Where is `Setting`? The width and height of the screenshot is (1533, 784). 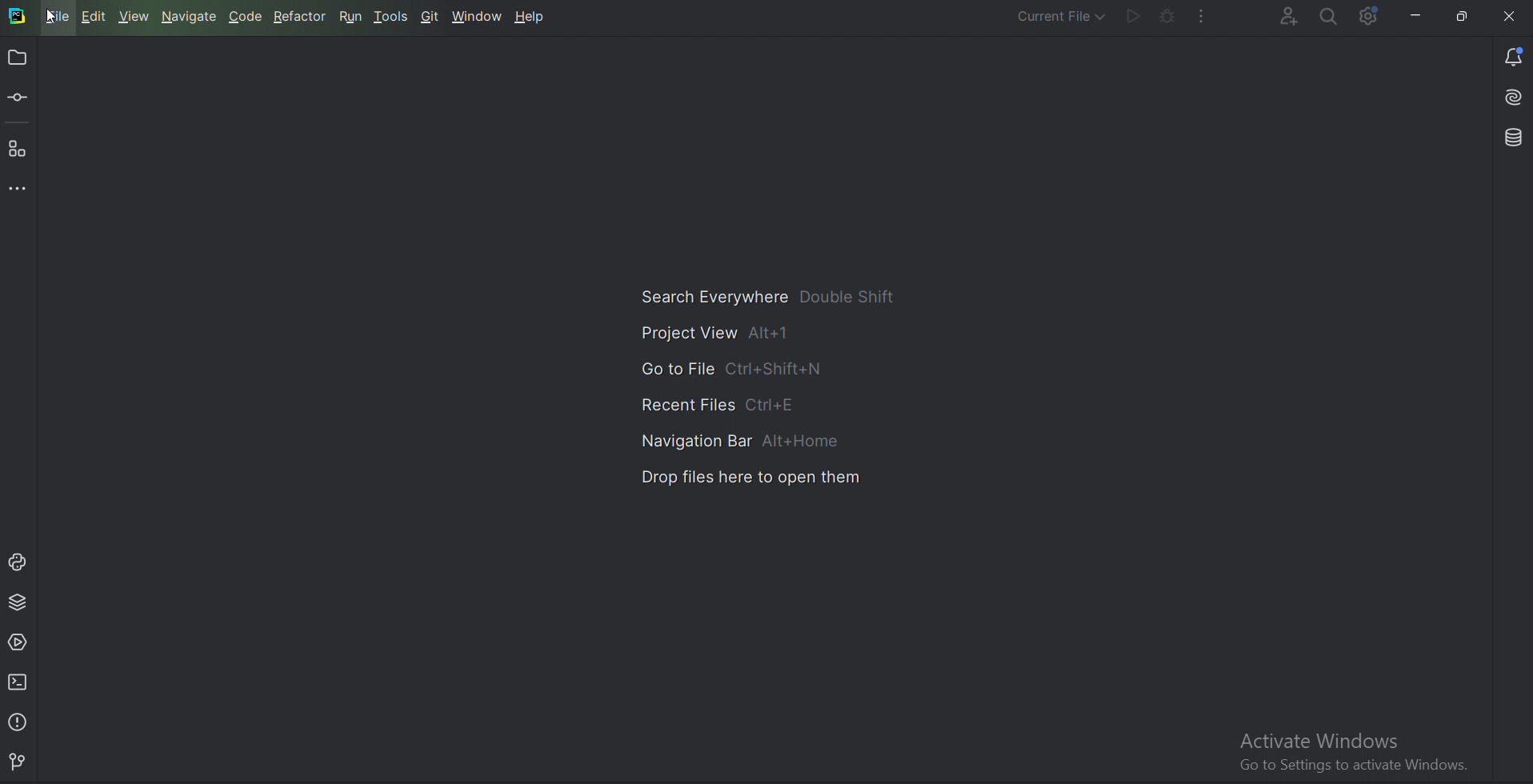 Setting is located at coordinates (1371, 15).